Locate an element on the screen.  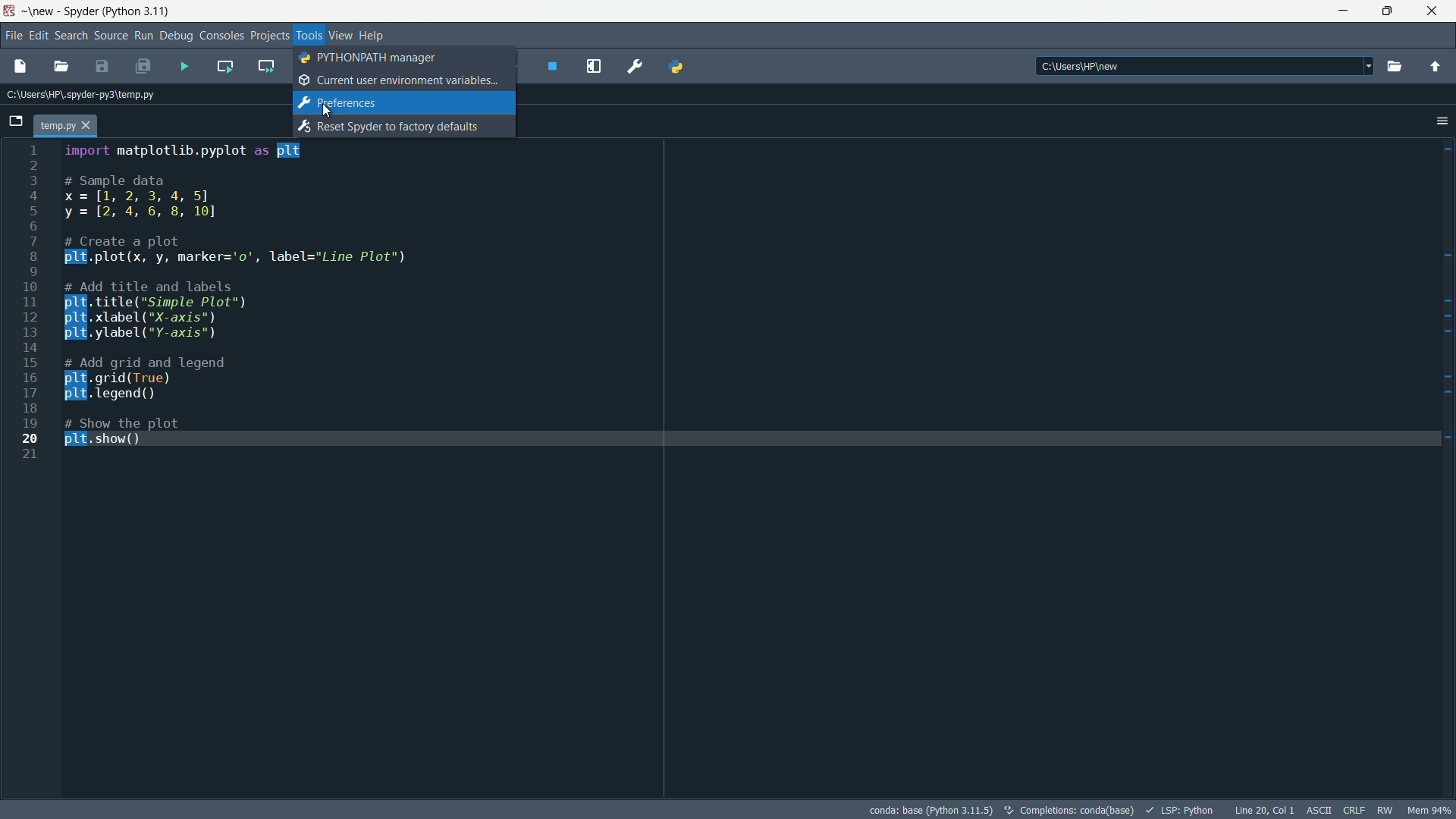
close app is located at coordinates (1436, 11).